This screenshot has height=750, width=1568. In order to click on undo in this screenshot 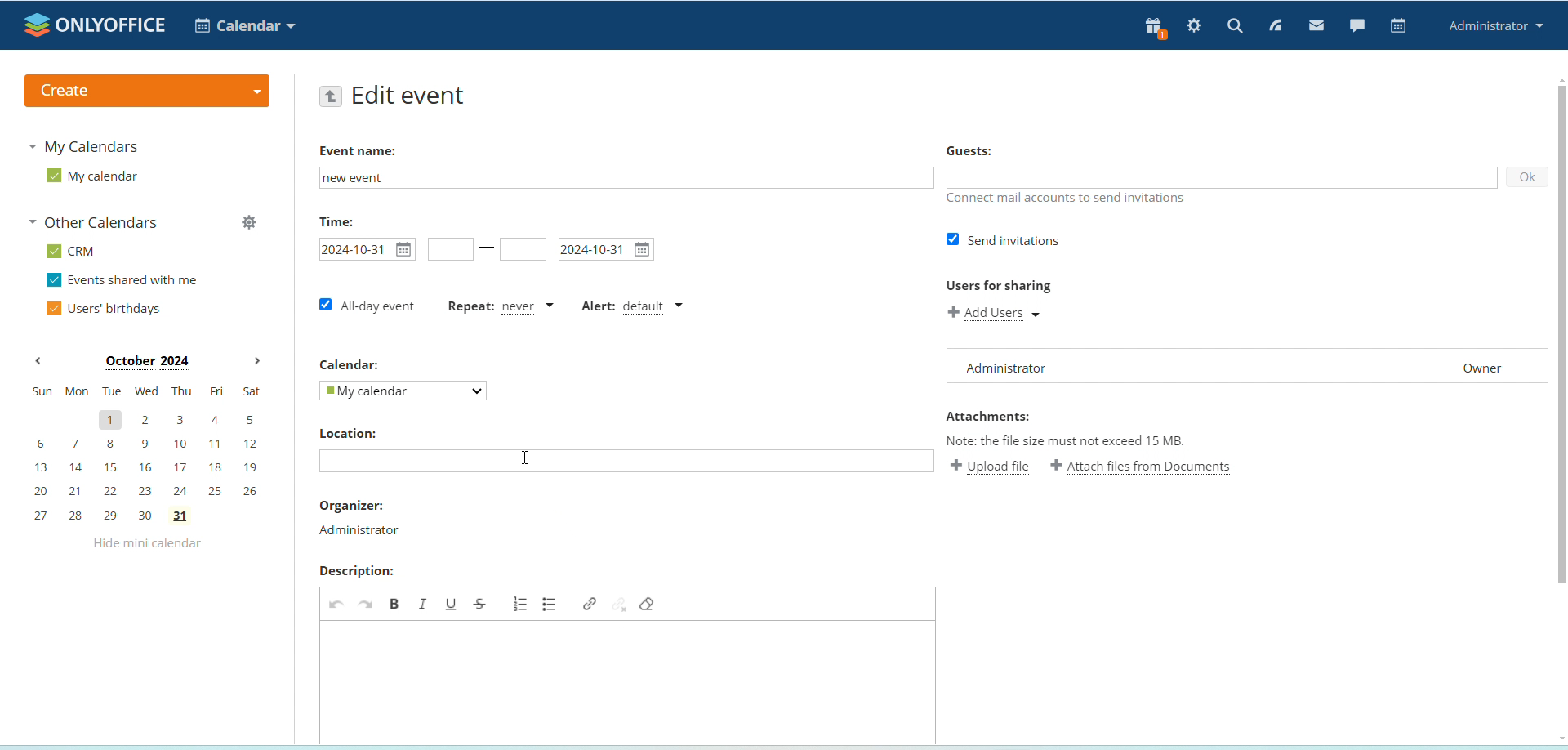, I will do `click(335, 603)`.